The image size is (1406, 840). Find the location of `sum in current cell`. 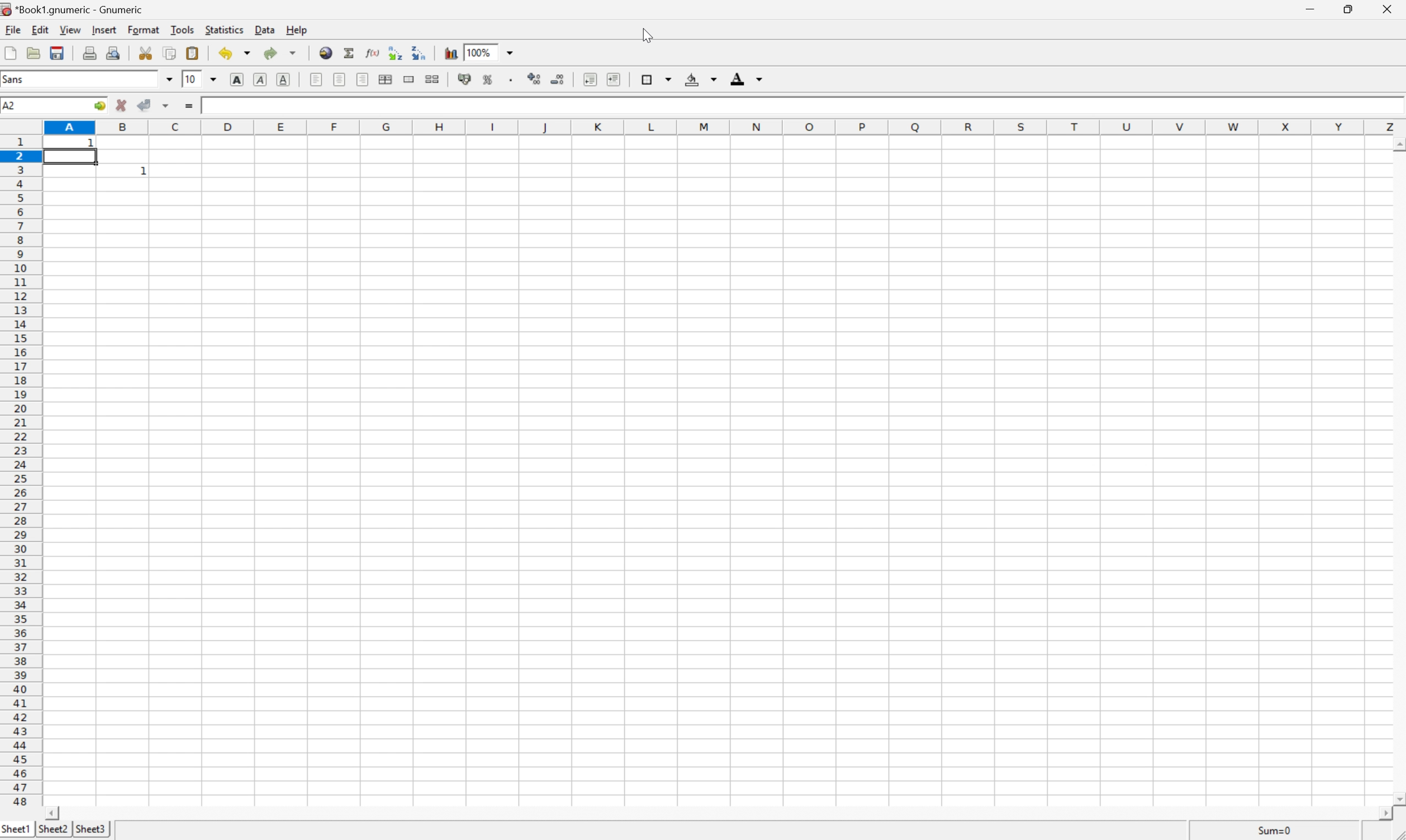

sum in current cell is located at coordinates (349, 54).